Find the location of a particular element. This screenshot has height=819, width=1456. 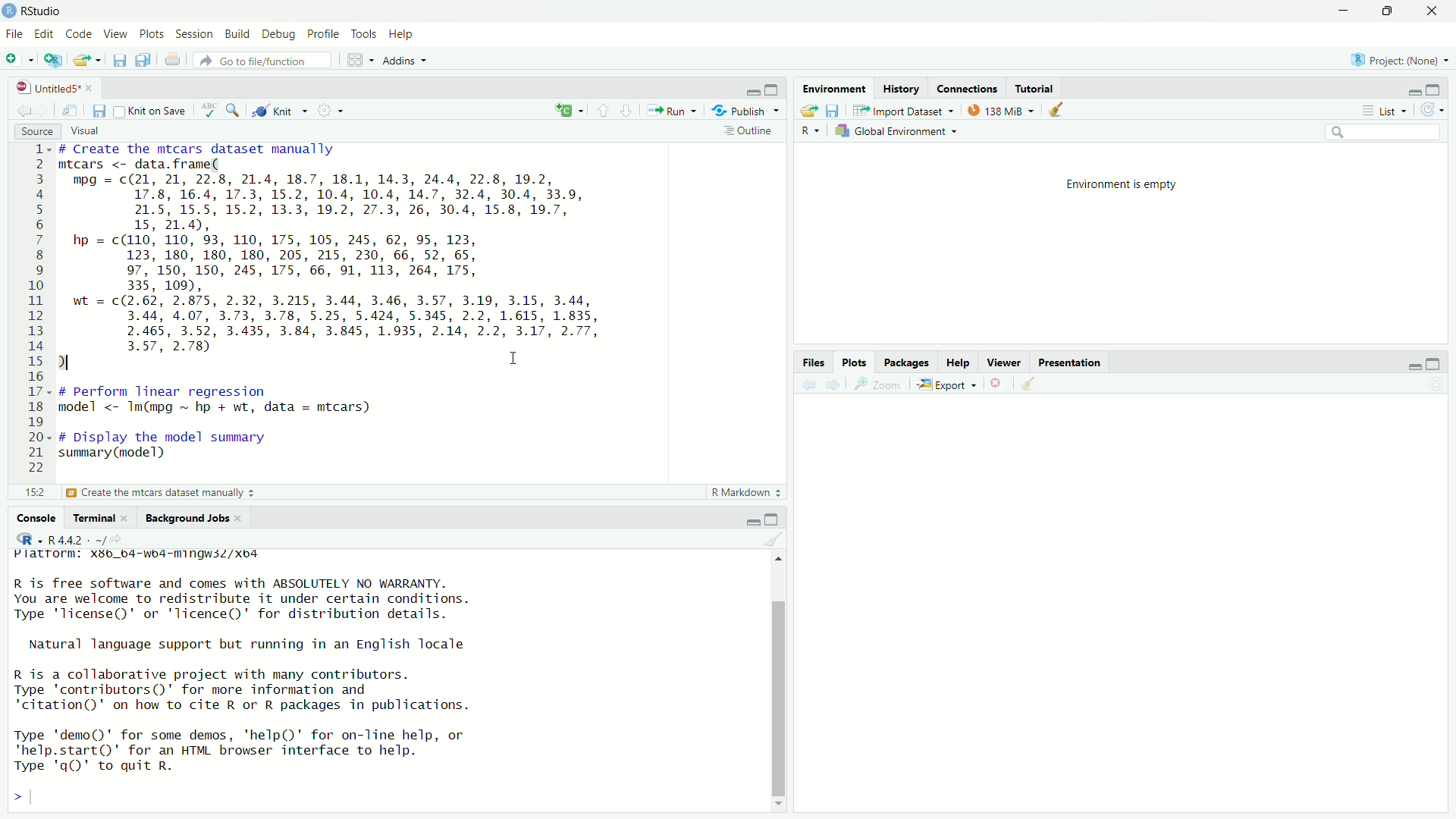

Background Jobs is located at coordinates (189, 519).